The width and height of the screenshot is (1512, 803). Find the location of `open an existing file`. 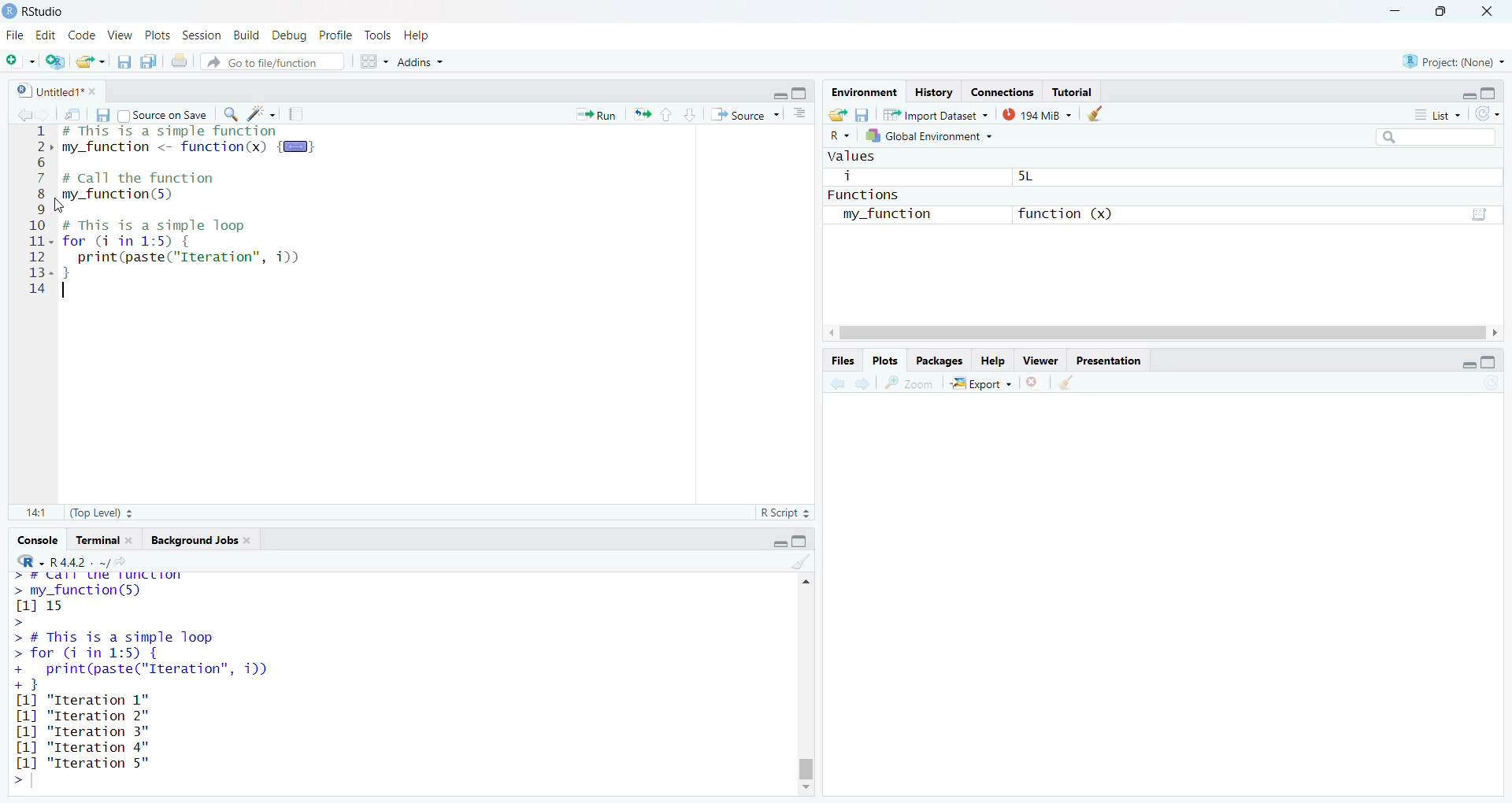

open an existing file is located at coordinates (91, 60).